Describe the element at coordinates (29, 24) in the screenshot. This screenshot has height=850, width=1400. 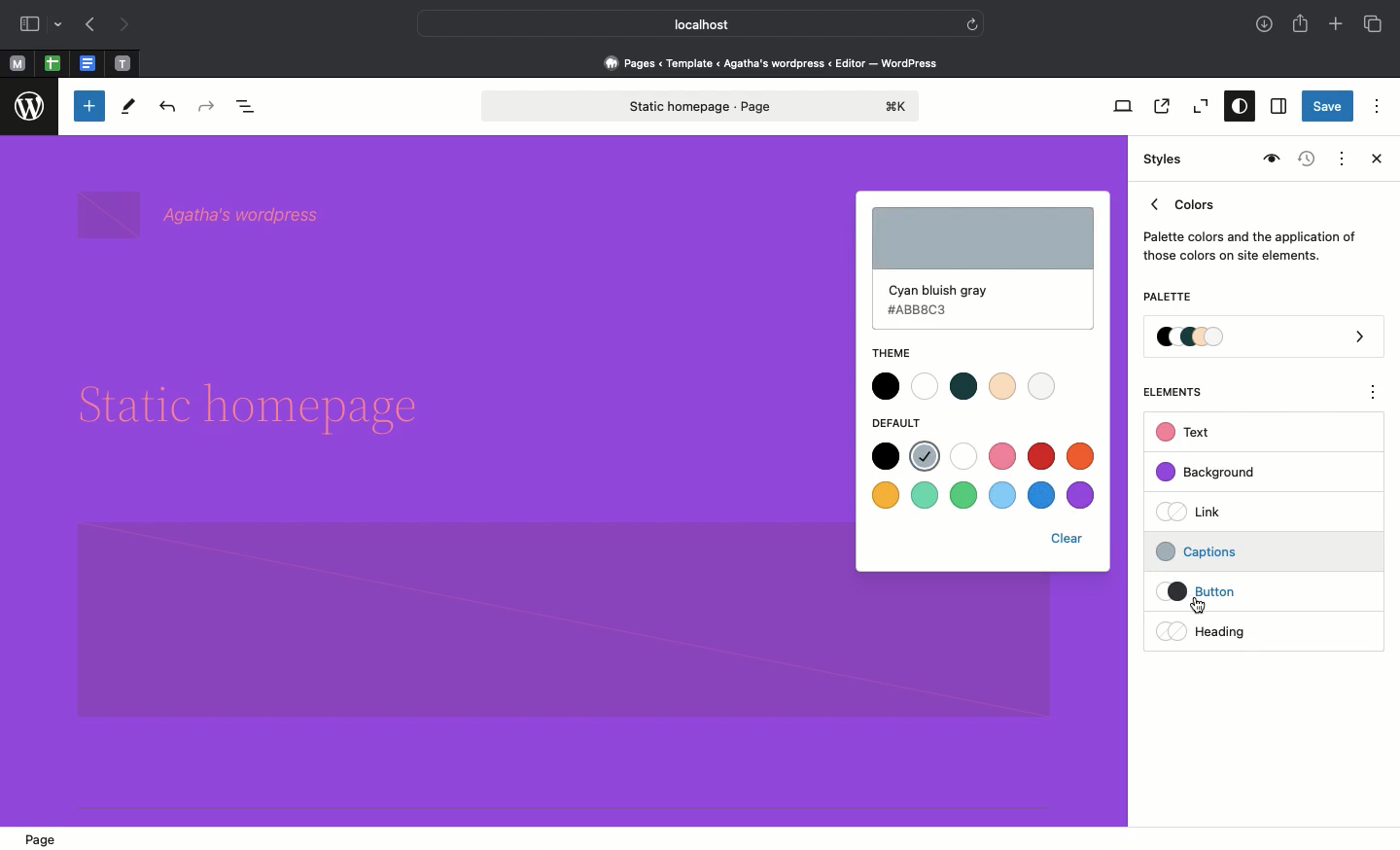
I see `Sidebar` at that location.